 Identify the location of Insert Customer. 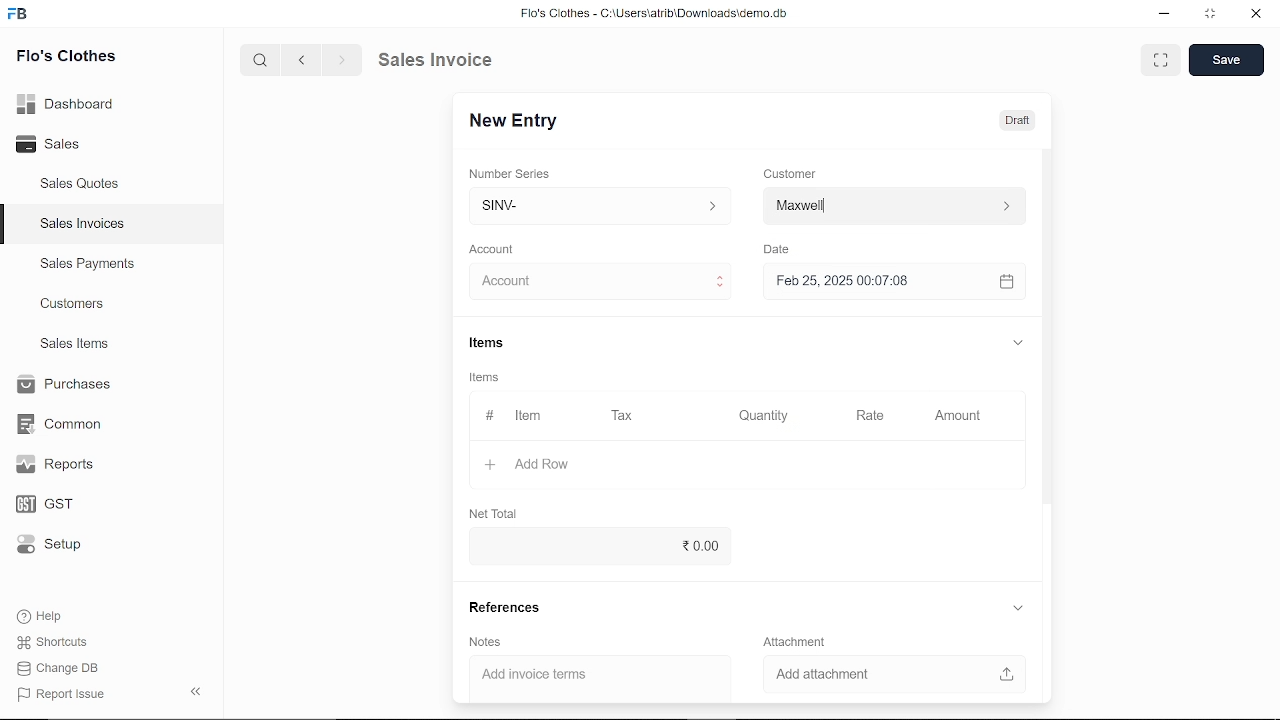
(890, 206).